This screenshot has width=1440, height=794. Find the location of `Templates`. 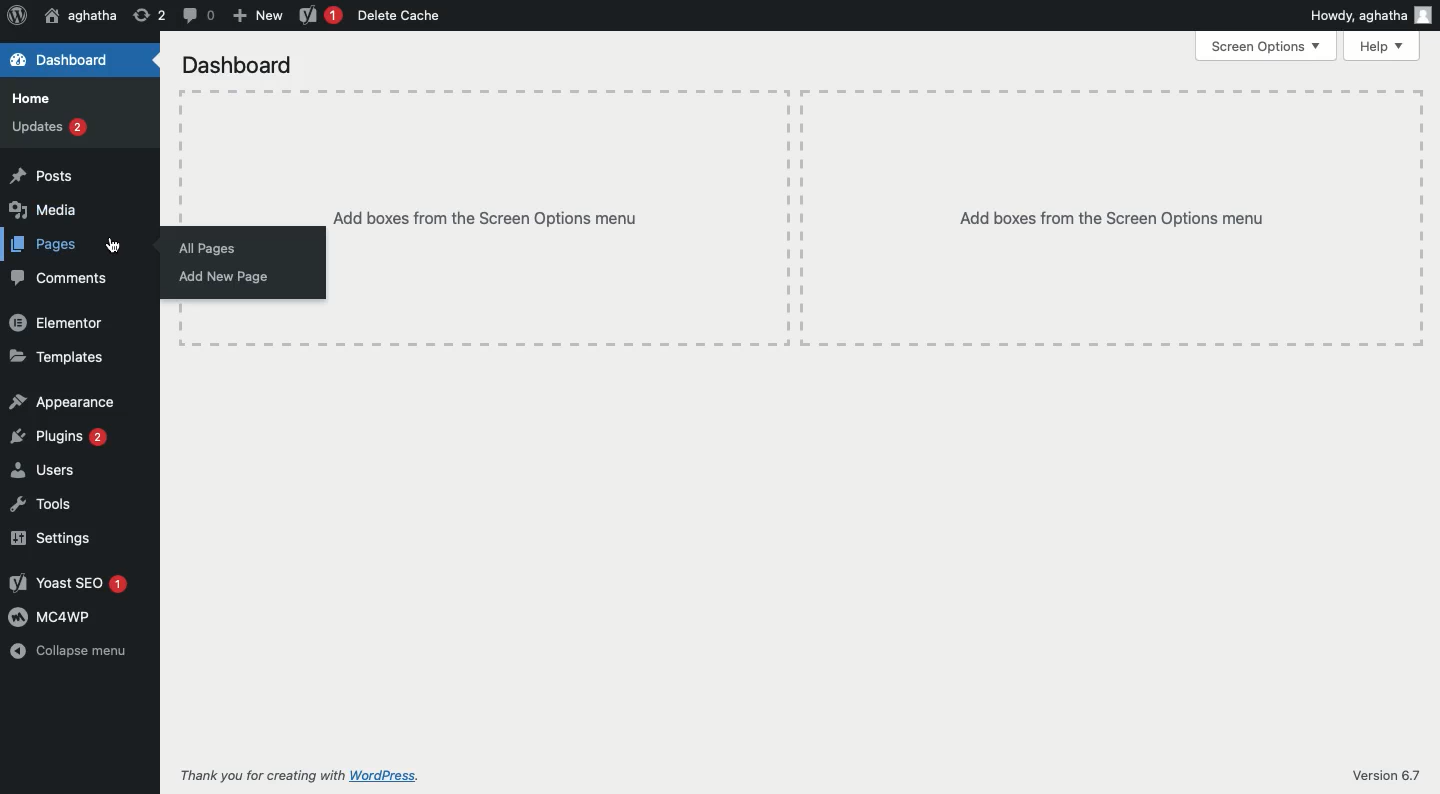

Templates is located at coordinates (62, 357).